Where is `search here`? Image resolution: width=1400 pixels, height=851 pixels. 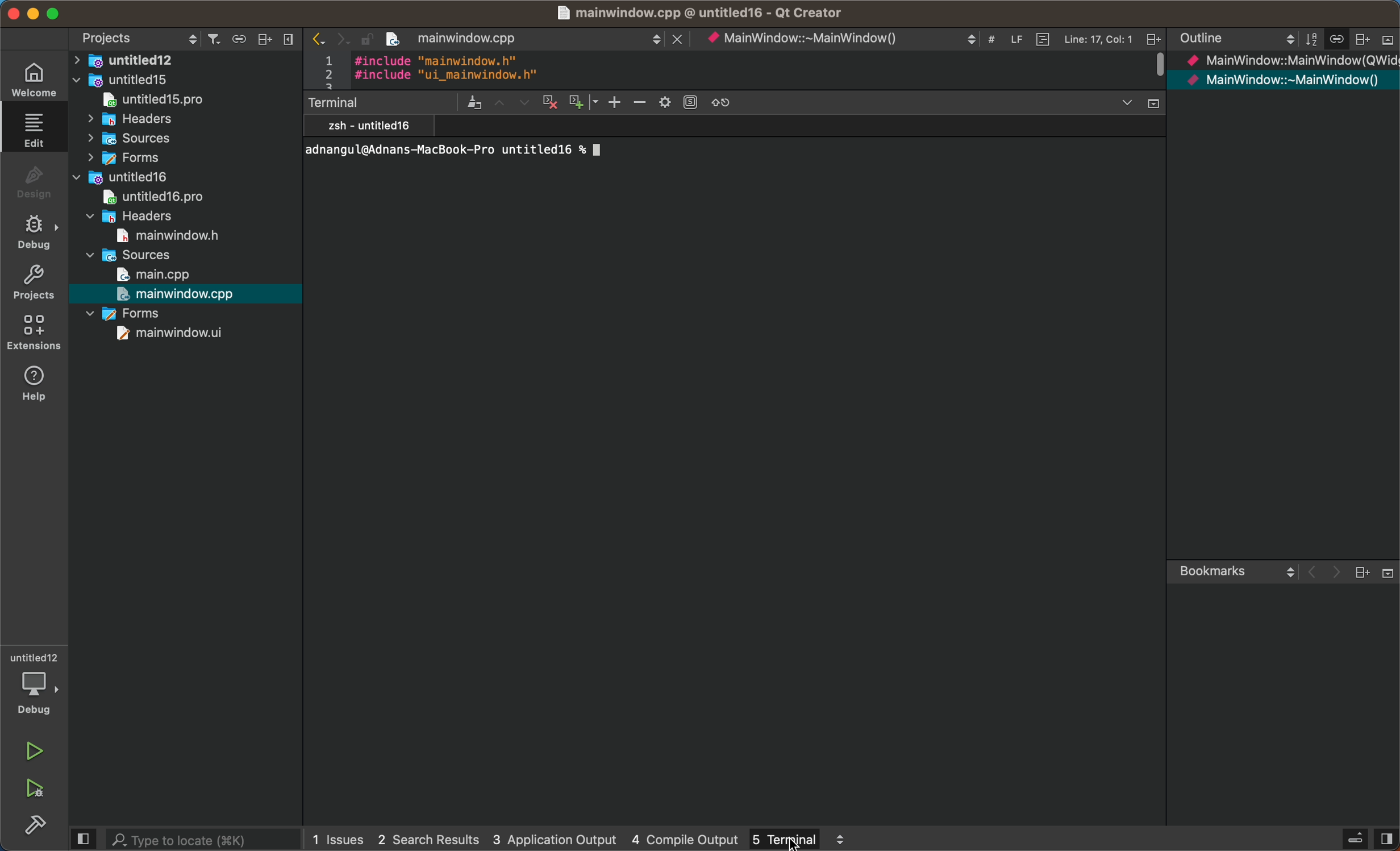
search here is located at coordinates (204, 838).